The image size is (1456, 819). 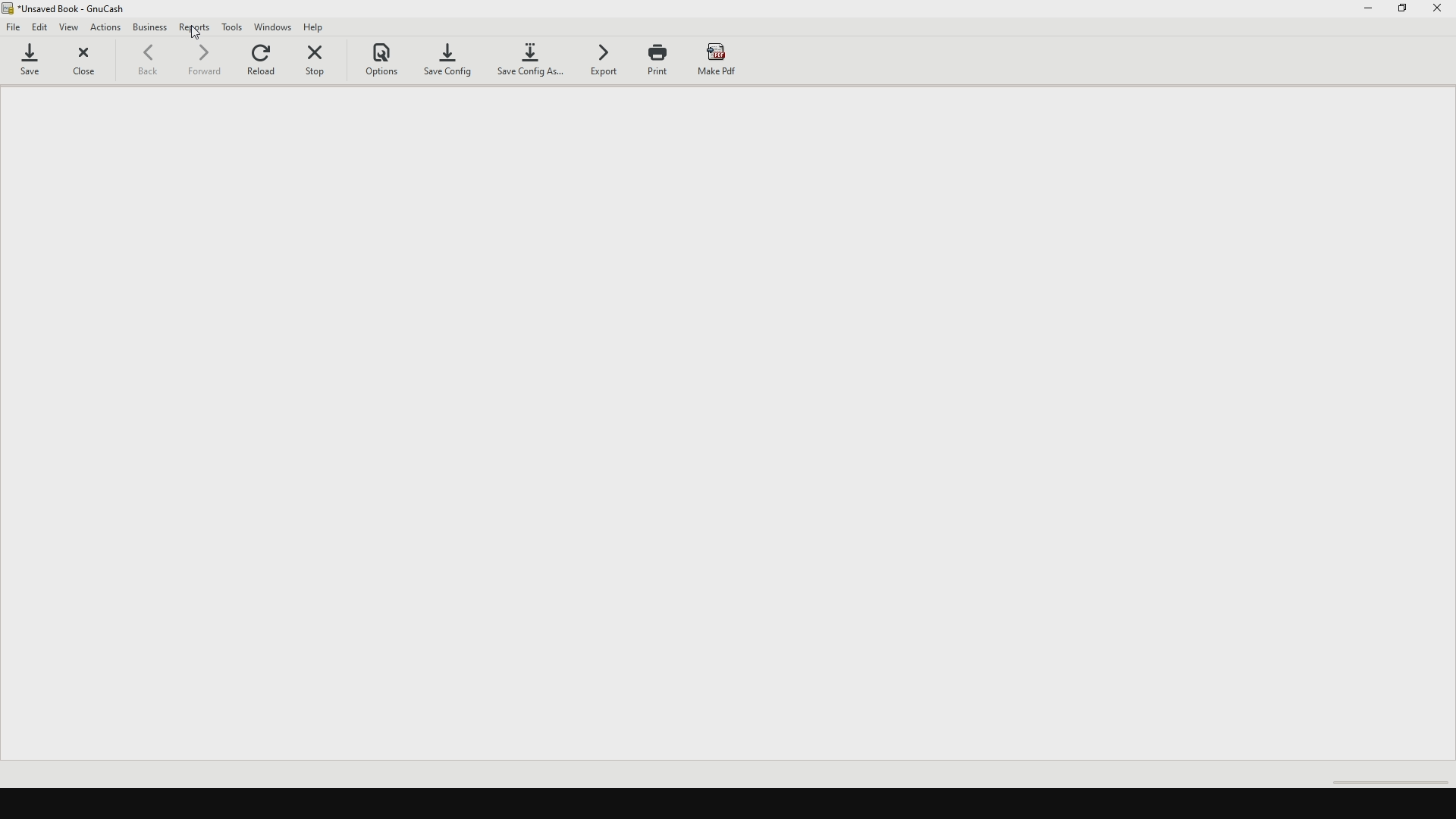 I want to click on *Unsaved Book - GnuCash, so click(x=77, y=9).